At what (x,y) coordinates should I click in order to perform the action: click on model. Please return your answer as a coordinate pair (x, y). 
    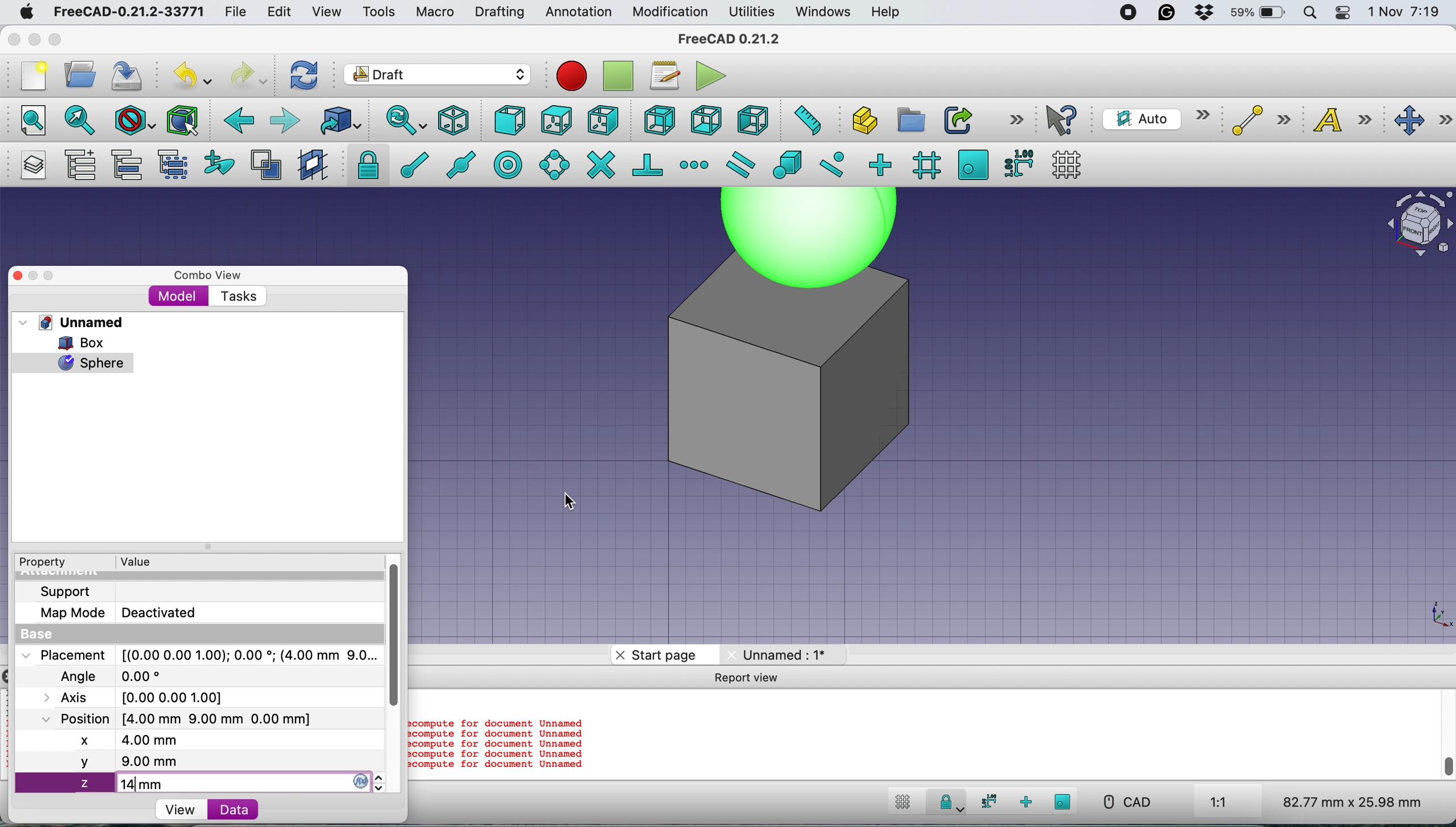
    Looking at the image, I should click on (178, 295).